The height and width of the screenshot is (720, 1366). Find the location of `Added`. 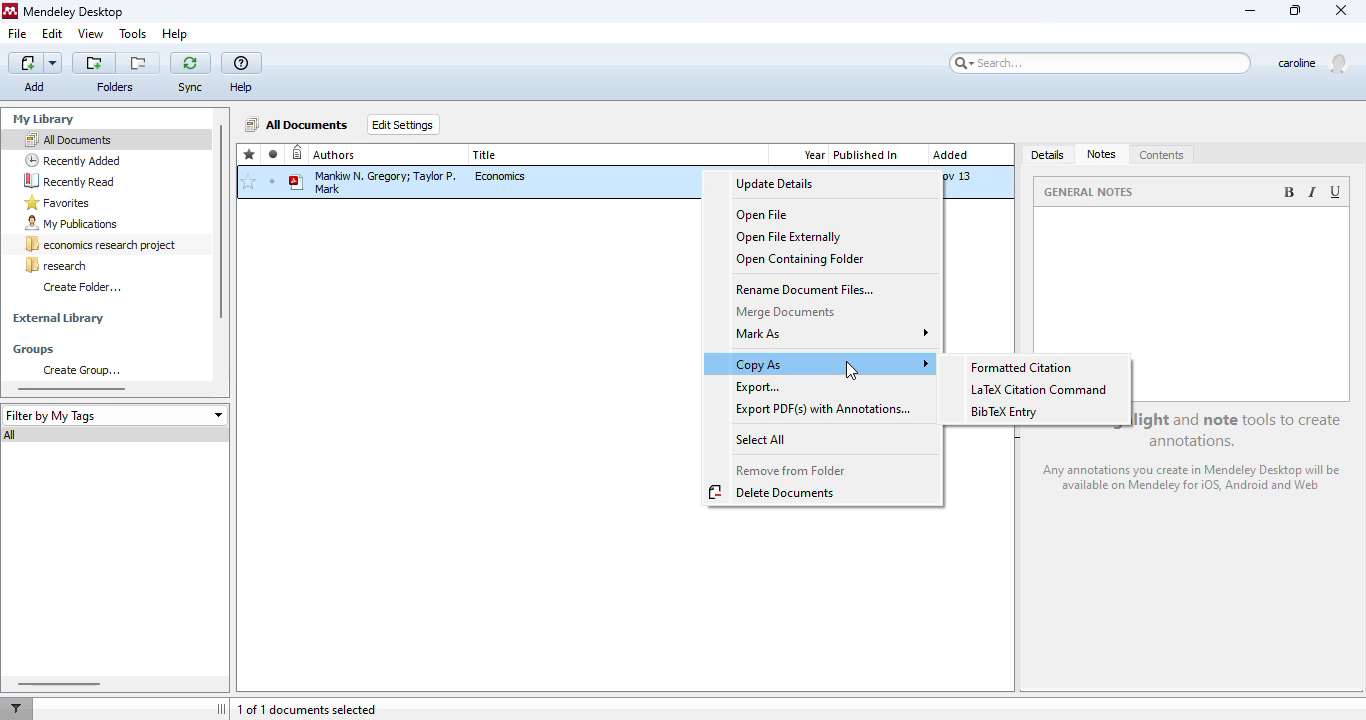

Added is located at coordinates (949, 153).